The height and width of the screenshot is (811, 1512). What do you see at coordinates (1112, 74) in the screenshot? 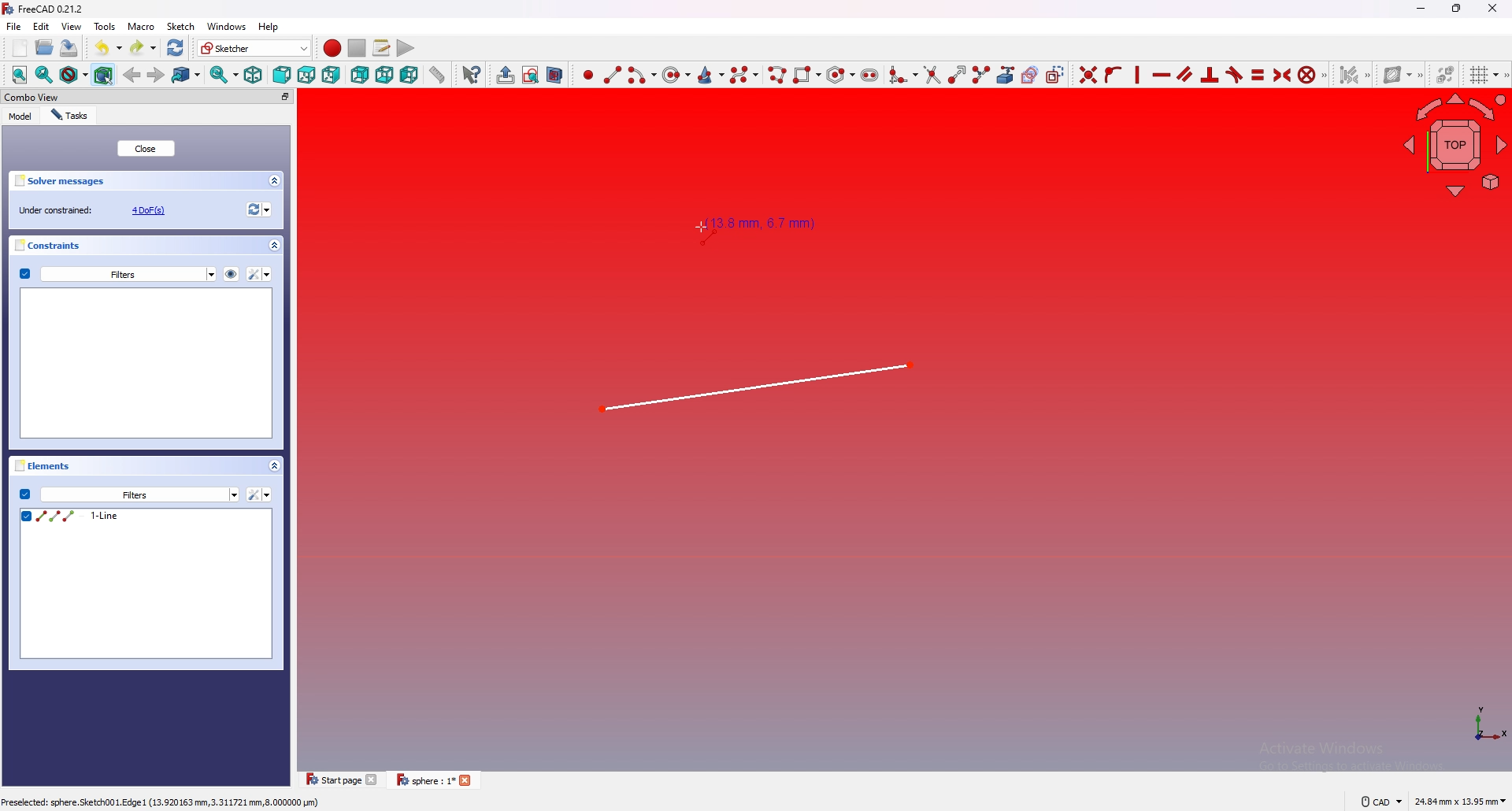
I see `Constrain point onto object` at bounding box center [1112, 74].